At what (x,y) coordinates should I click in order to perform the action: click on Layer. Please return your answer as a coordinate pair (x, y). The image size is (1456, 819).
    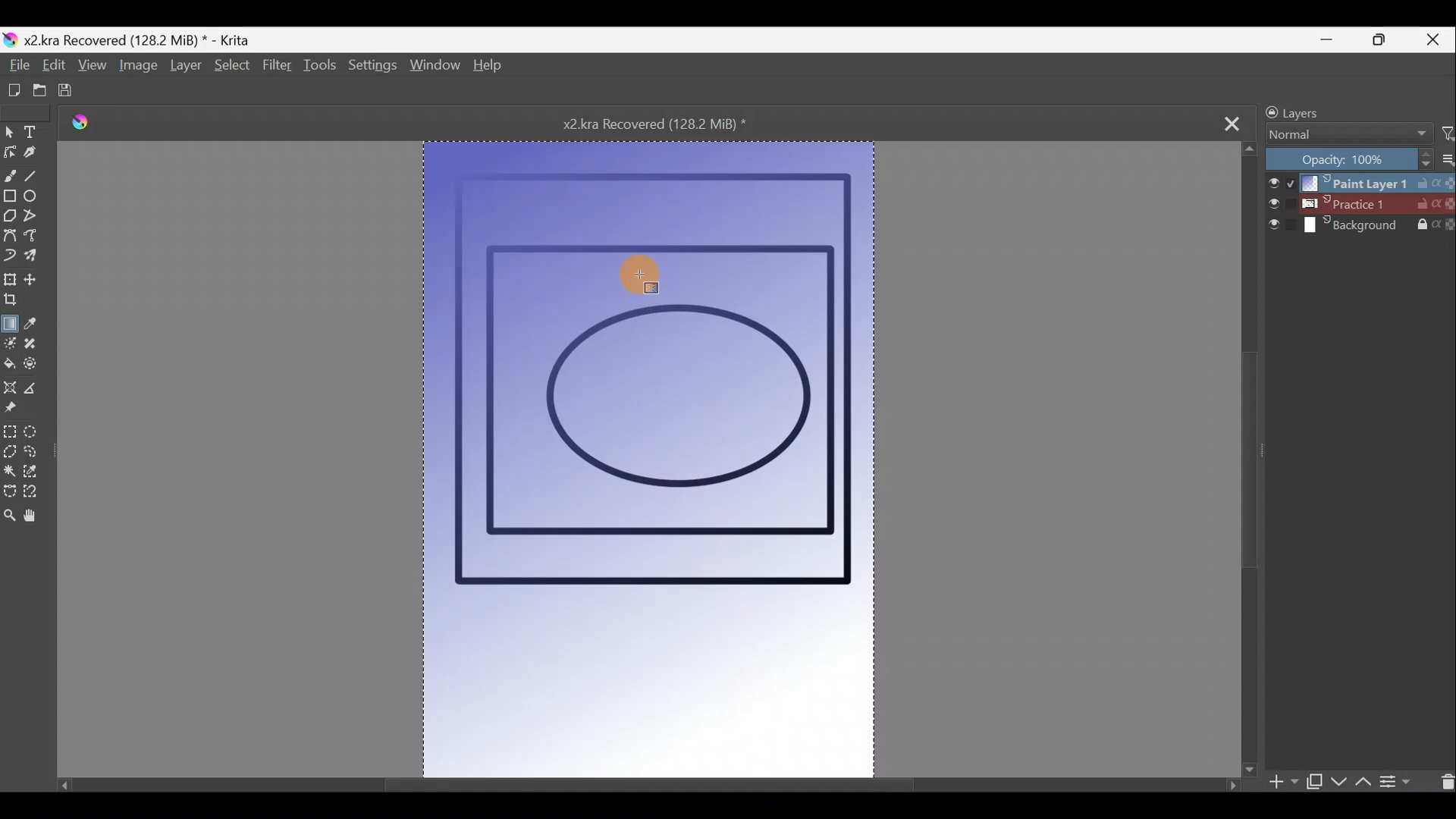
    Looking at the image, I should click on (185, 68).